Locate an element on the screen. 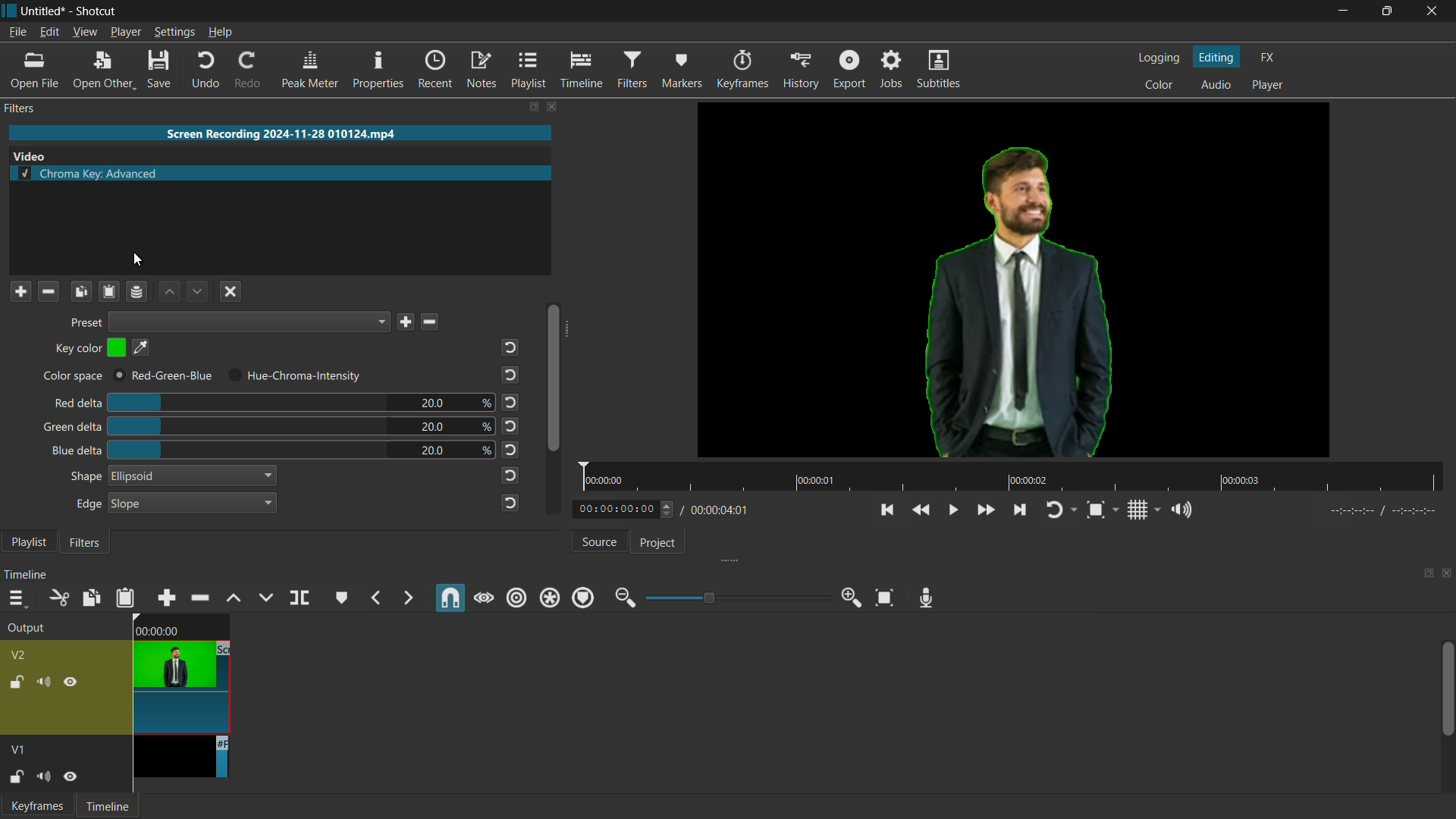 The width and height of the screenshot is (1456, 819). mute is located at coordinates (42, 776).